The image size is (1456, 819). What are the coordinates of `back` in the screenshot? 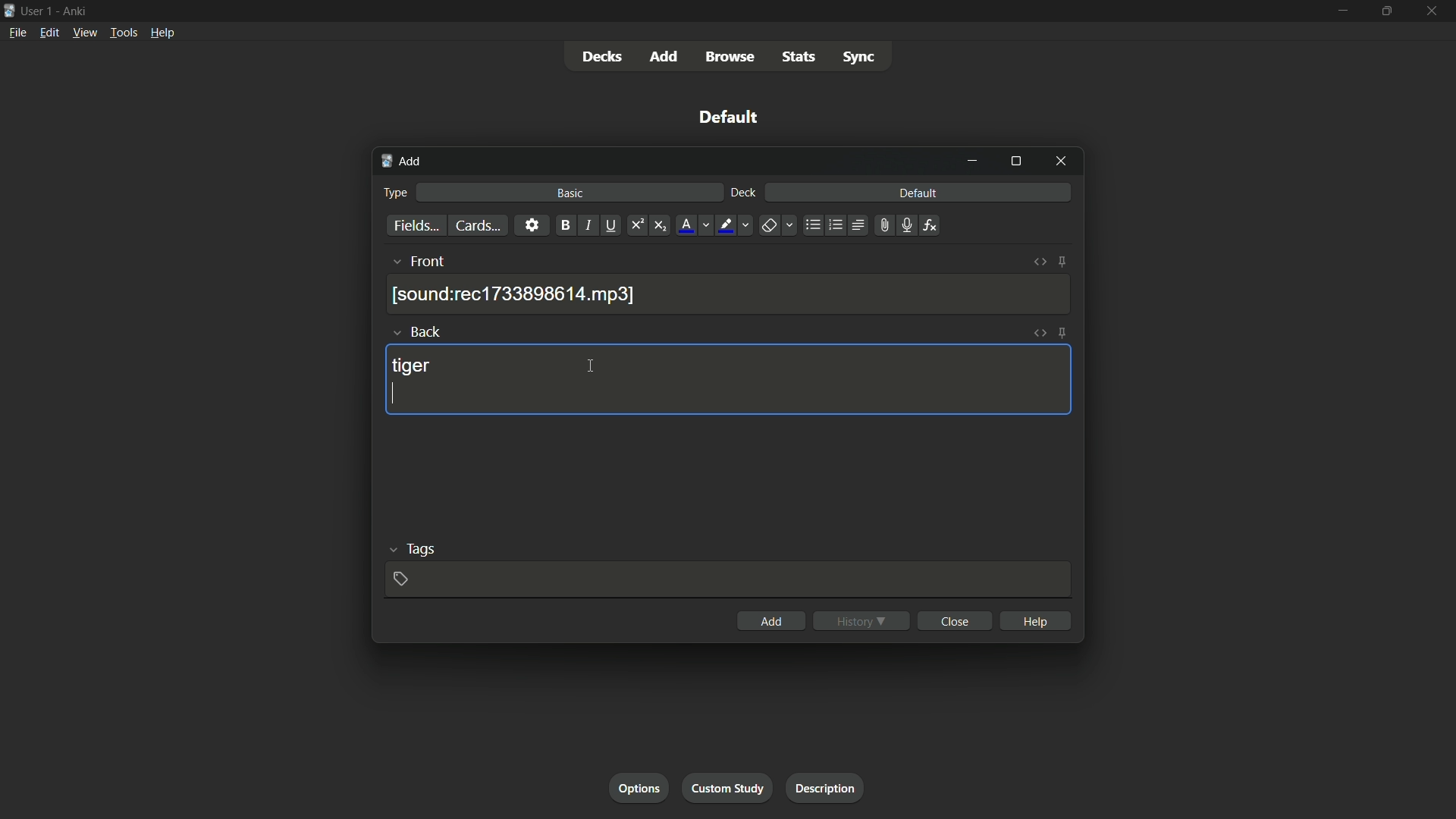 It's located at (428, 331).